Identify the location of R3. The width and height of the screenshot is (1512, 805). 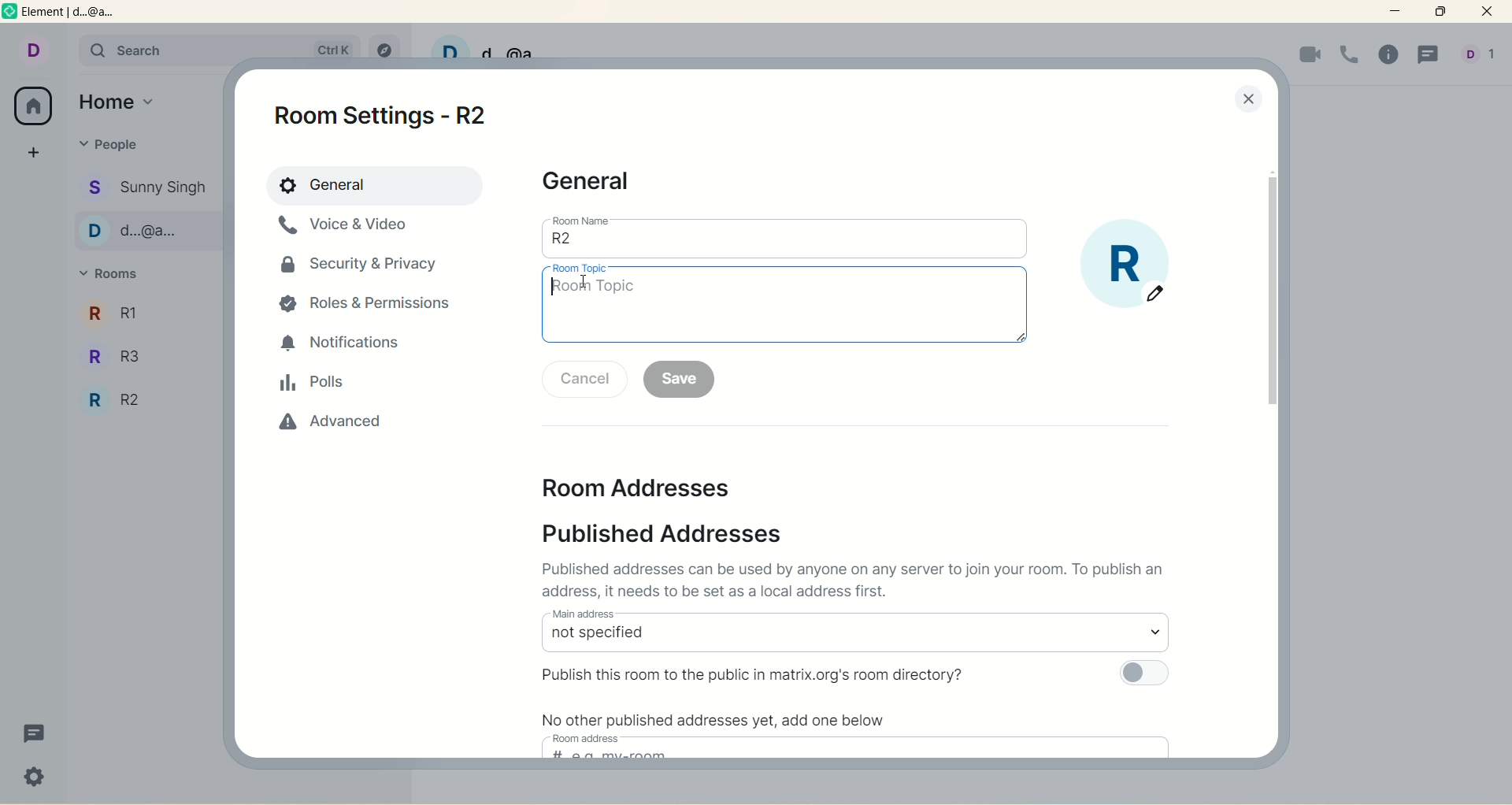
(141, 353).